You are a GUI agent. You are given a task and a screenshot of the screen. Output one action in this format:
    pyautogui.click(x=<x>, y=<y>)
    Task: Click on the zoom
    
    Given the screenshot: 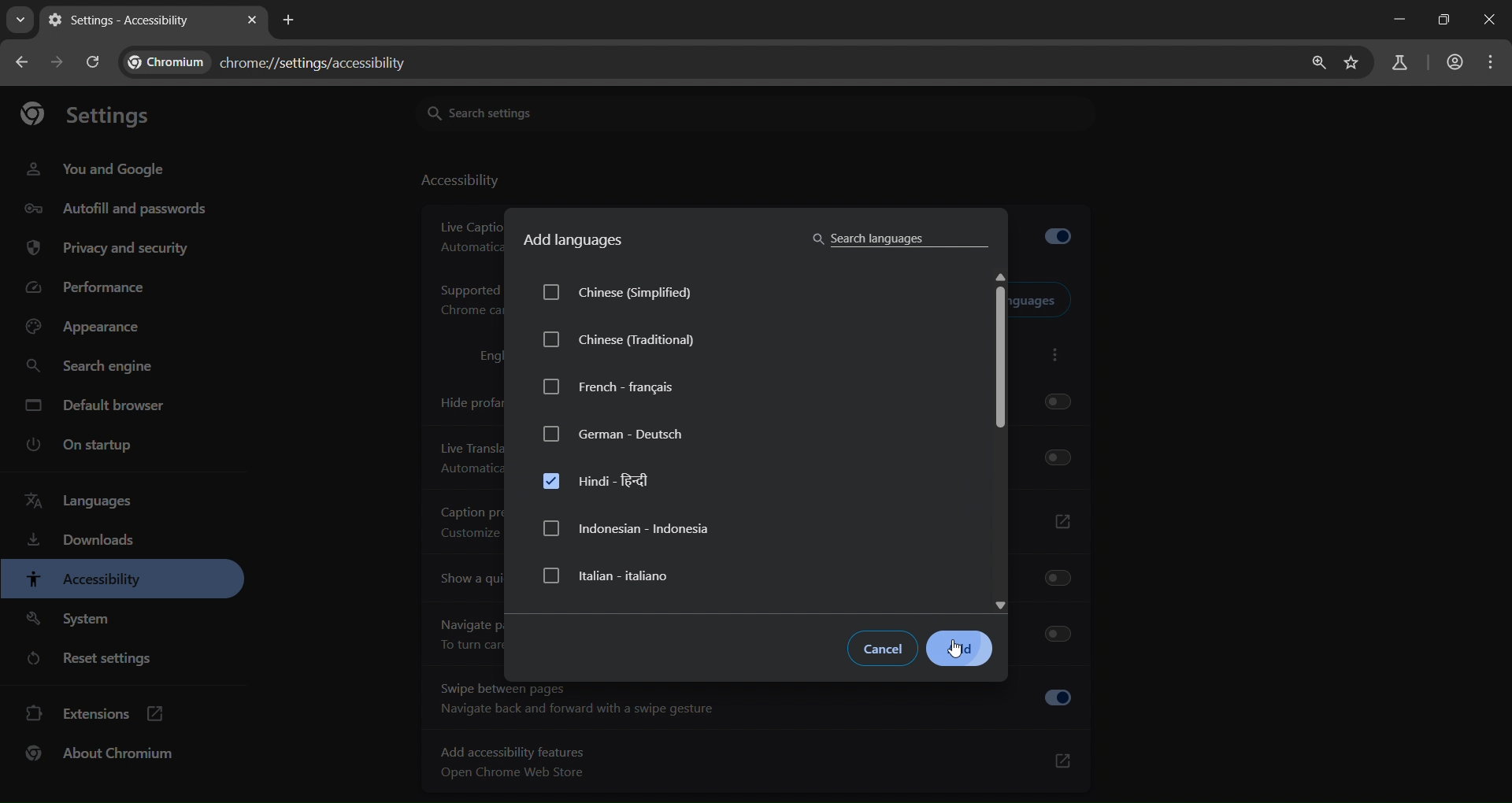 What is the action you would take?
    pyautogui.click(x=1320, y=65)
    